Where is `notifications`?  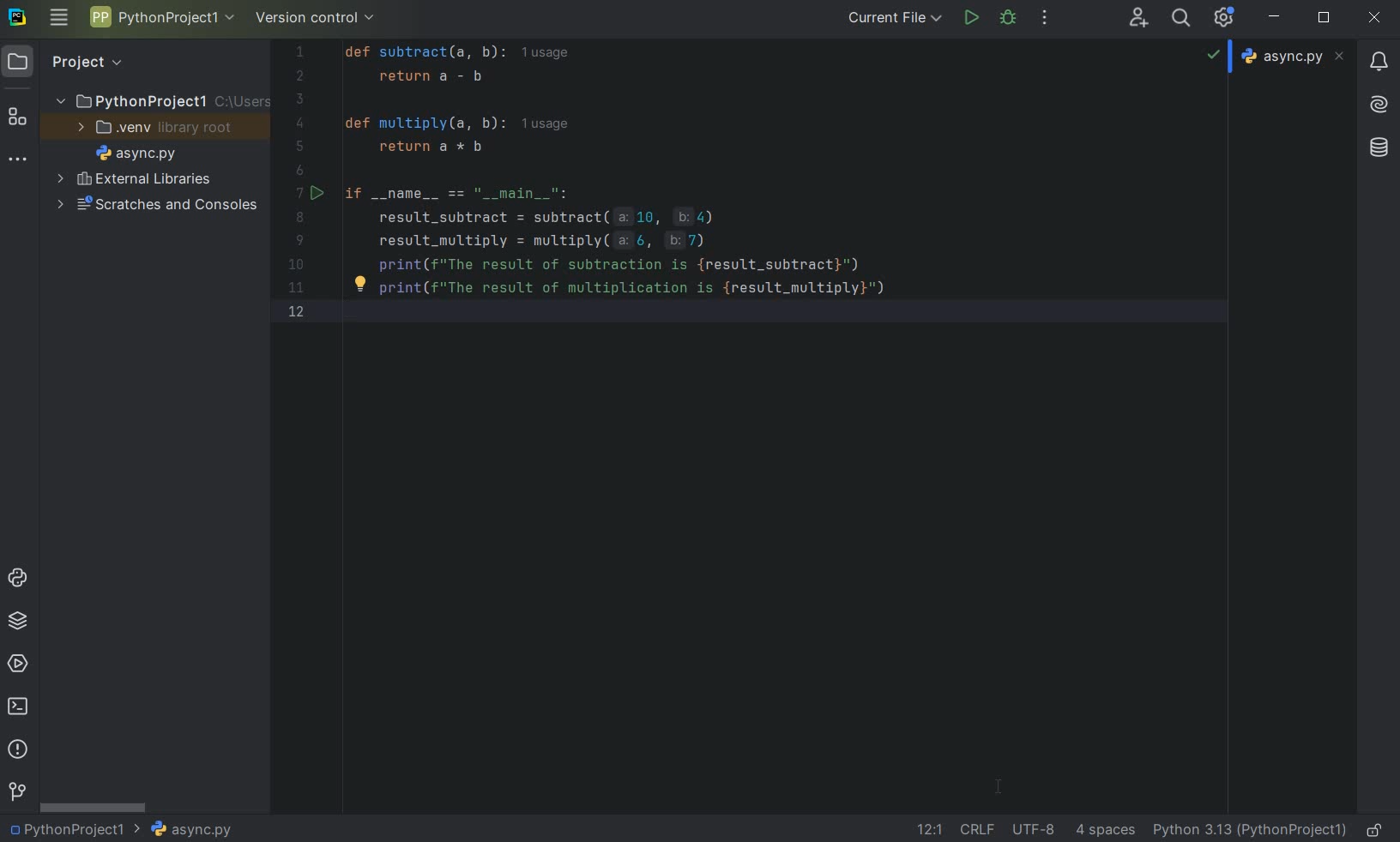 notifications is located at coordinates (1377, 62).